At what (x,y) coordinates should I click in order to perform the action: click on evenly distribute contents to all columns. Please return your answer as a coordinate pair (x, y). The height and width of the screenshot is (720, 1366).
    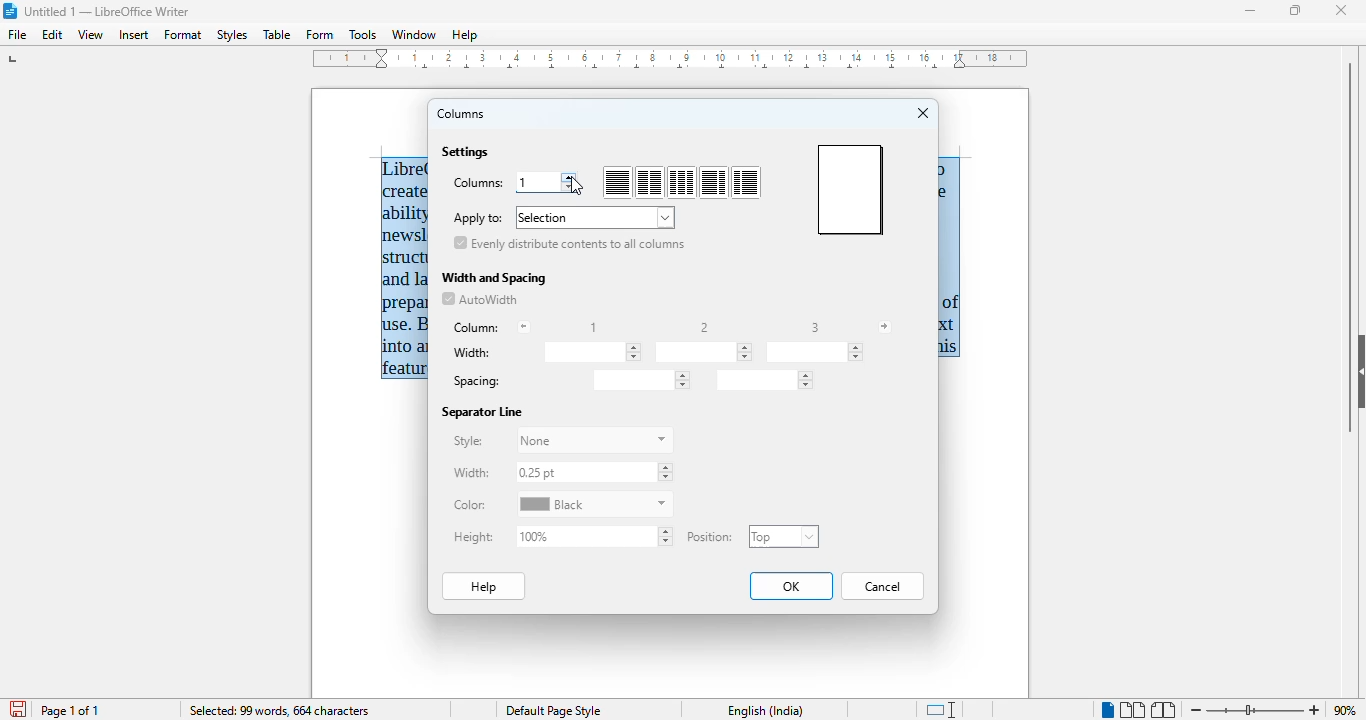
    Looking at the image, I should click on (570, 242).